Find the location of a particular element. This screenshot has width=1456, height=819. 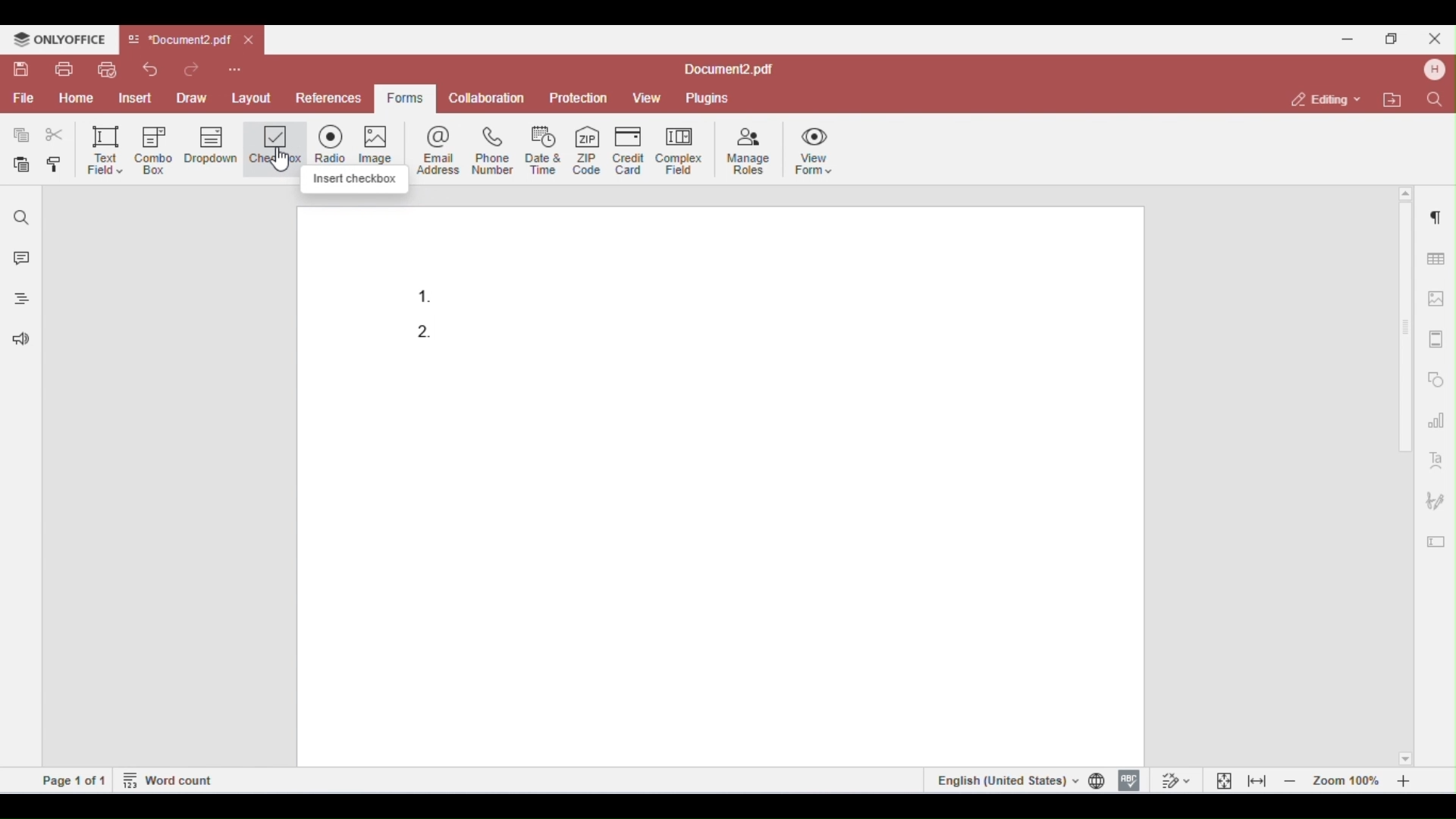

protection is located at coordinates (579, 99).